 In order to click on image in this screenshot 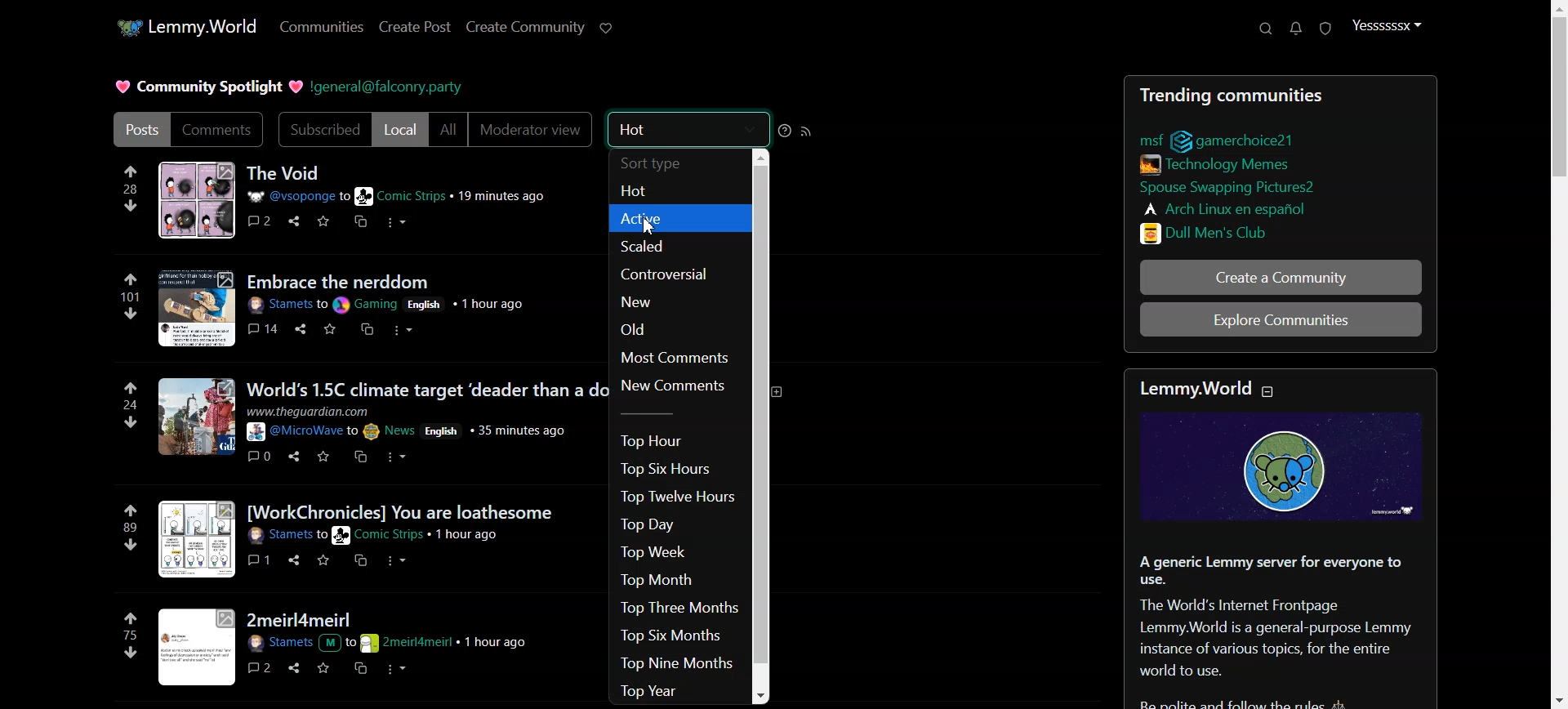, I will do `click(197, 309)`.